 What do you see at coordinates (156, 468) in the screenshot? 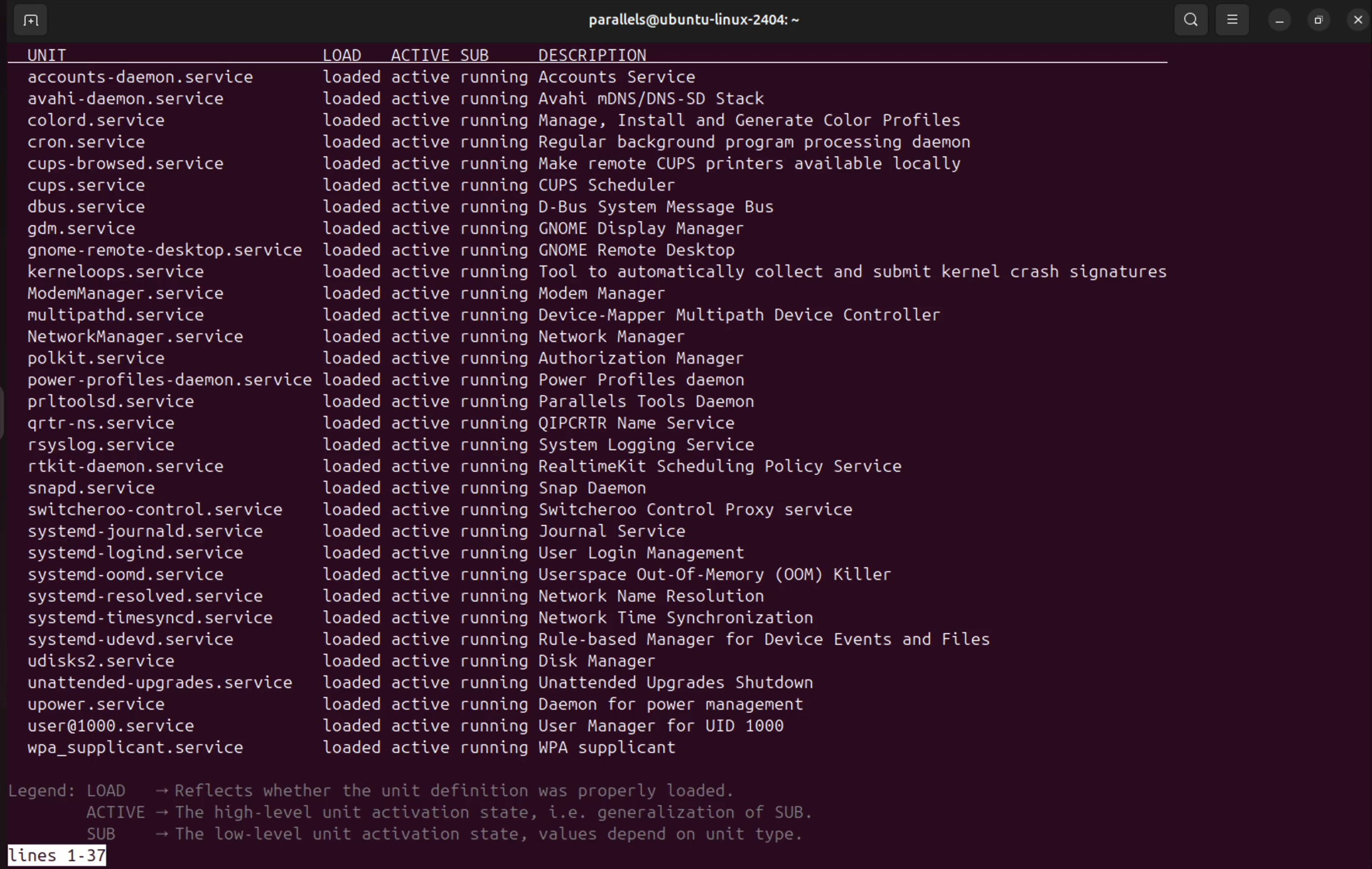
I see `rkit daemon service` at bounding box center [156, 468].